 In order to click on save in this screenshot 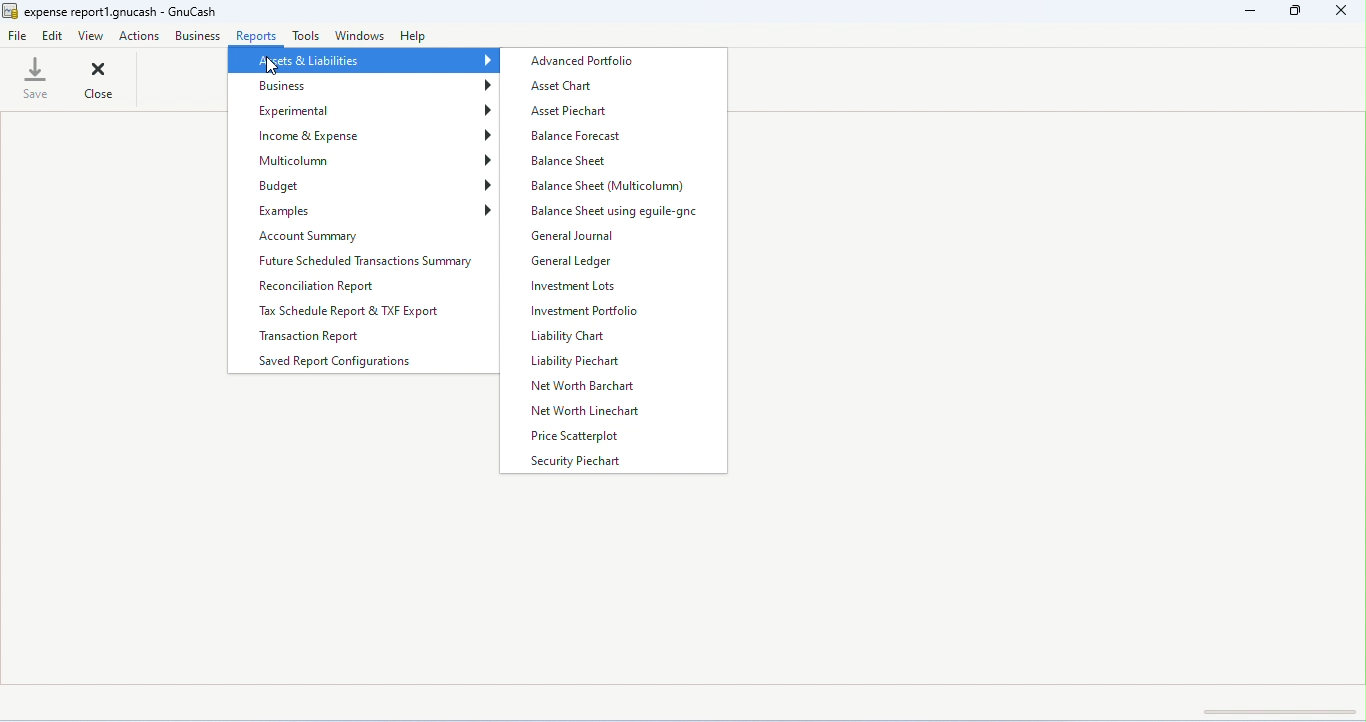, I will do `click(35, 79)`.